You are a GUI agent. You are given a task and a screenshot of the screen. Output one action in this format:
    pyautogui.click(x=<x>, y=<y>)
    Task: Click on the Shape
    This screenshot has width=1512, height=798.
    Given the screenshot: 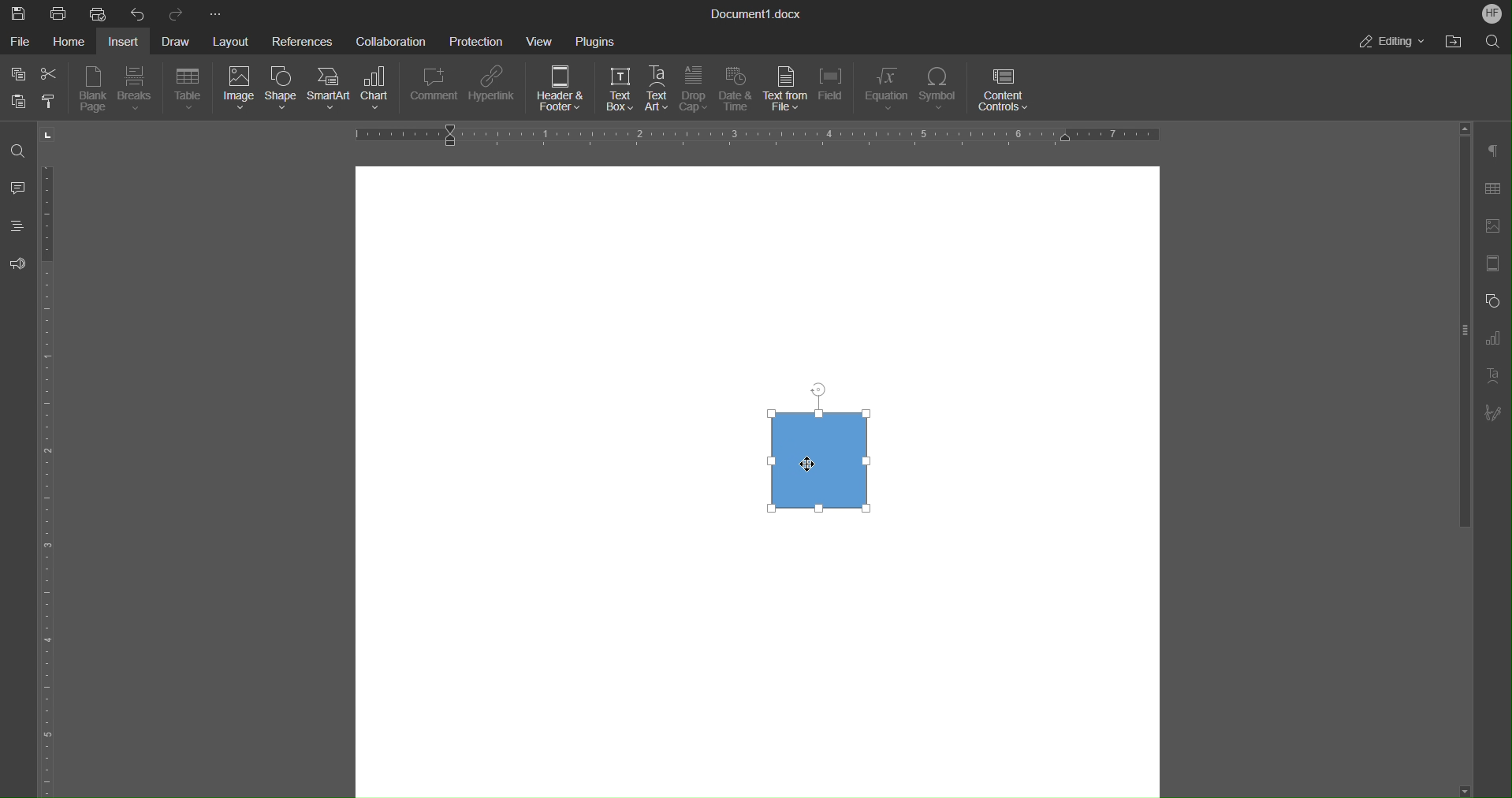 What is the action you would take?
    pyautogui.click(x=281, y=91)
    